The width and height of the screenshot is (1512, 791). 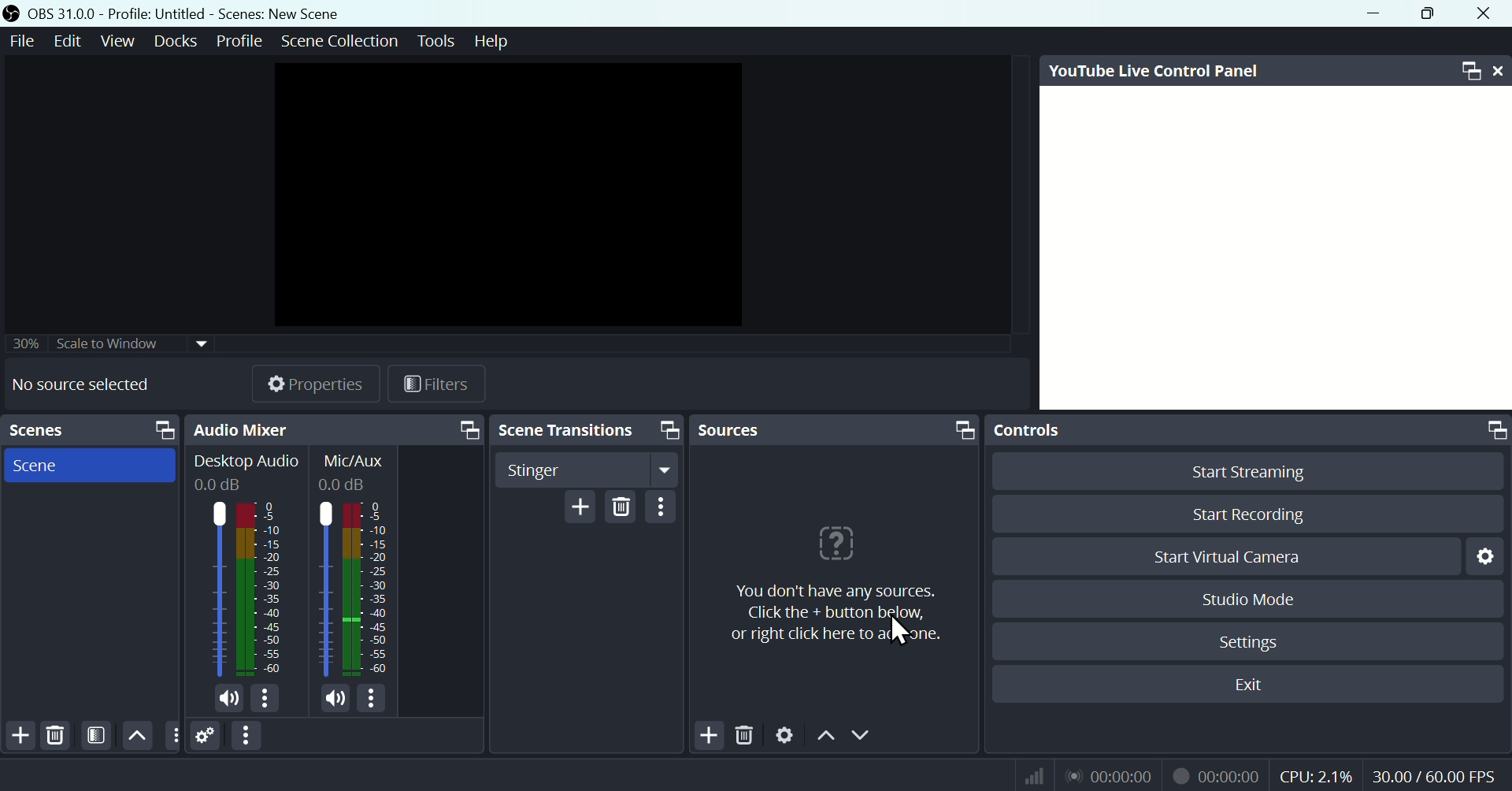 What do you see at coordinates (494, 39) in the screenshot?
I see `help` at bounding box center [494, 39].